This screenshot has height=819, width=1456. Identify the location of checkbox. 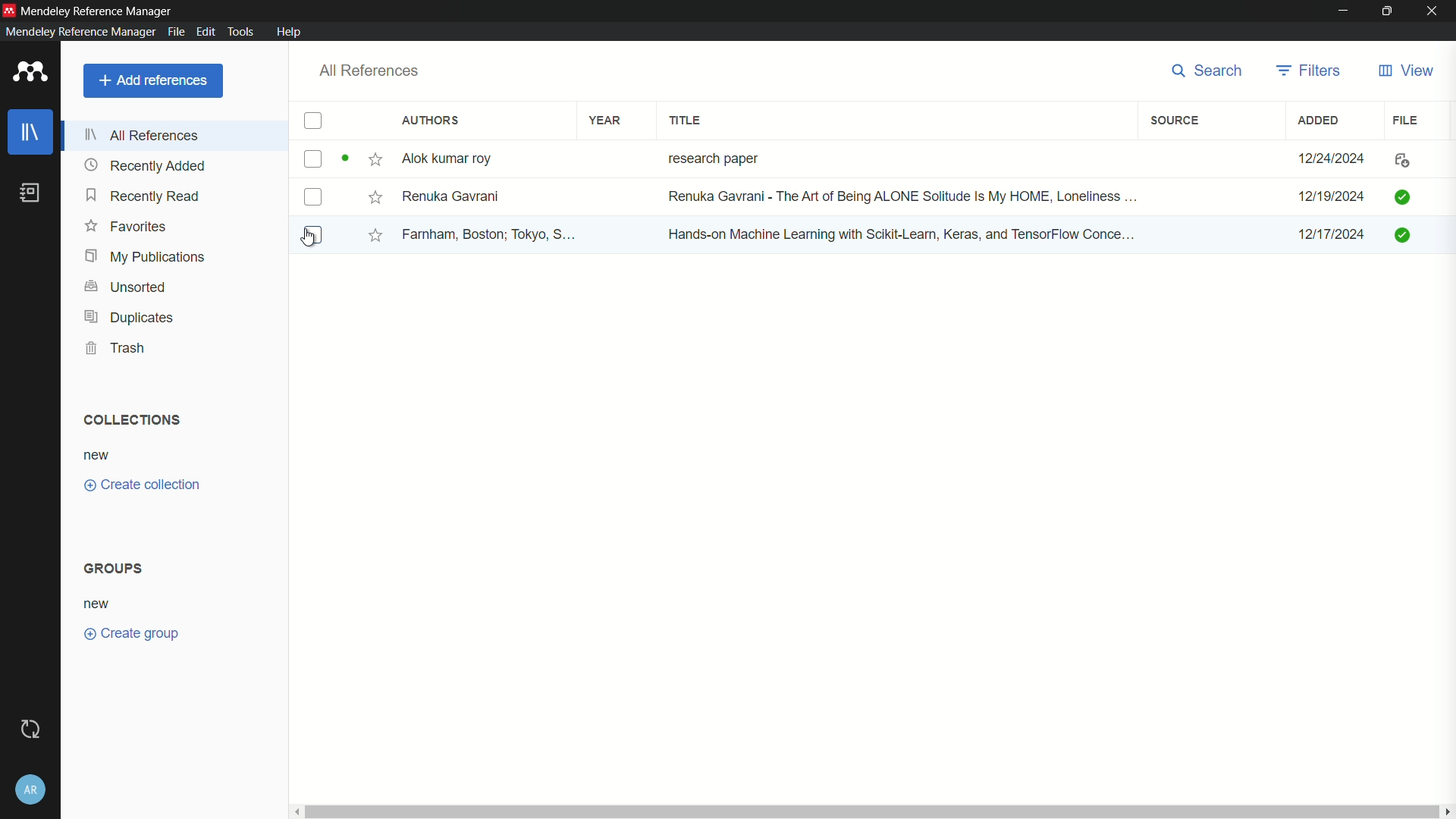
(314, 159).